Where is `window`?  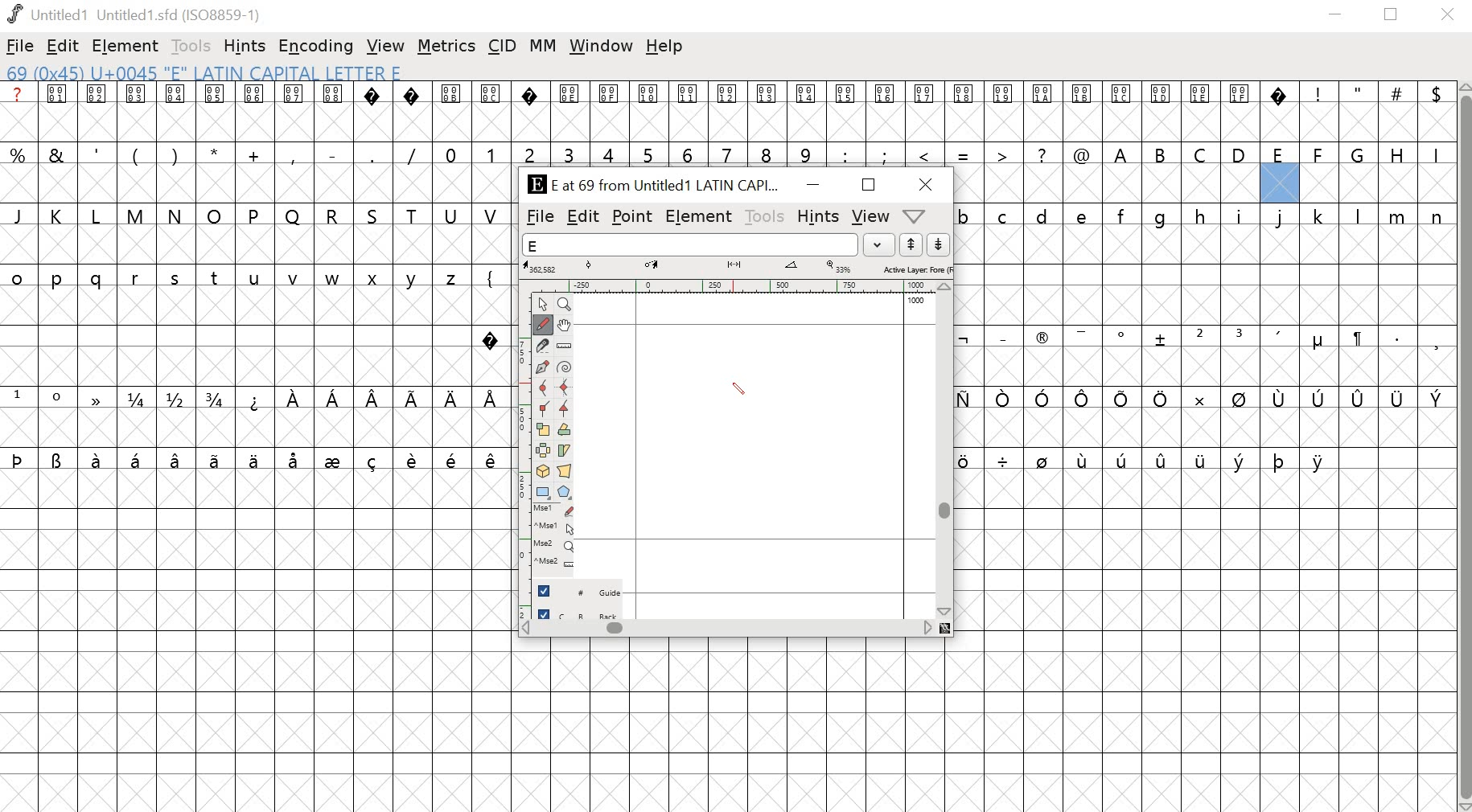 window is located at coordinates (599, 45).